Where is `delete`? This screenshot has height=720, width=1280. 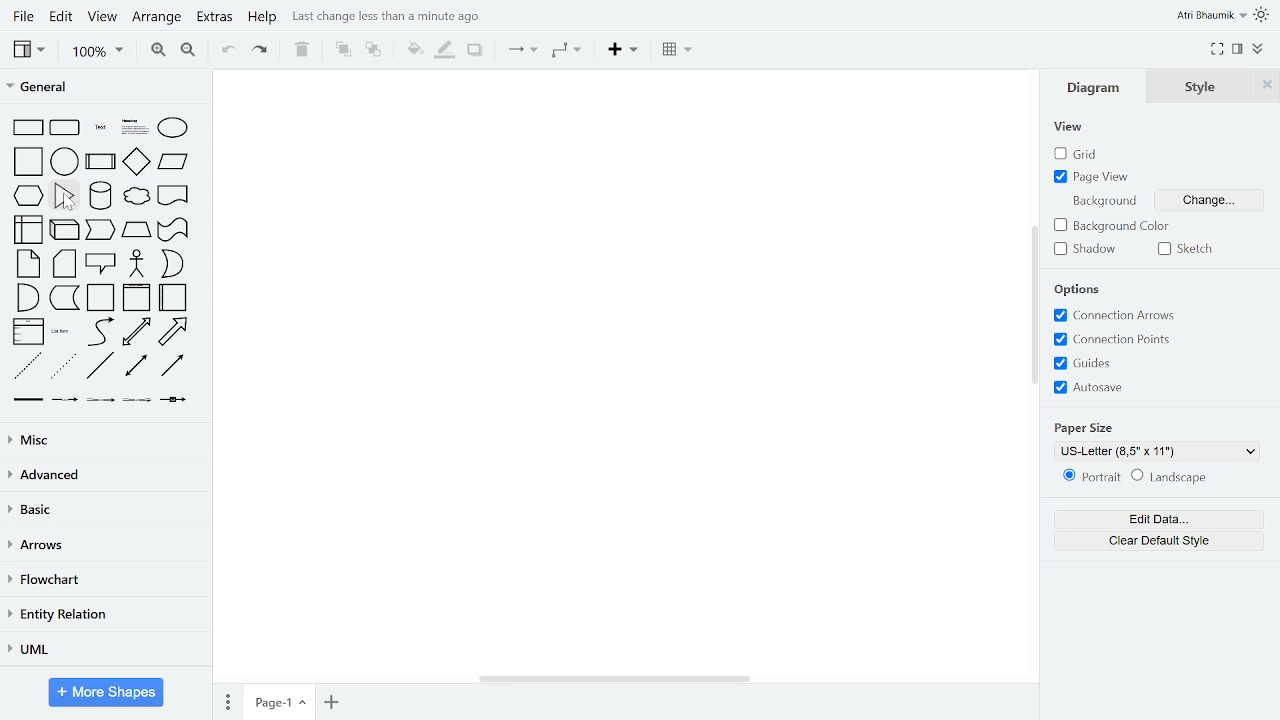 delete is located at coordinates (302, 49).